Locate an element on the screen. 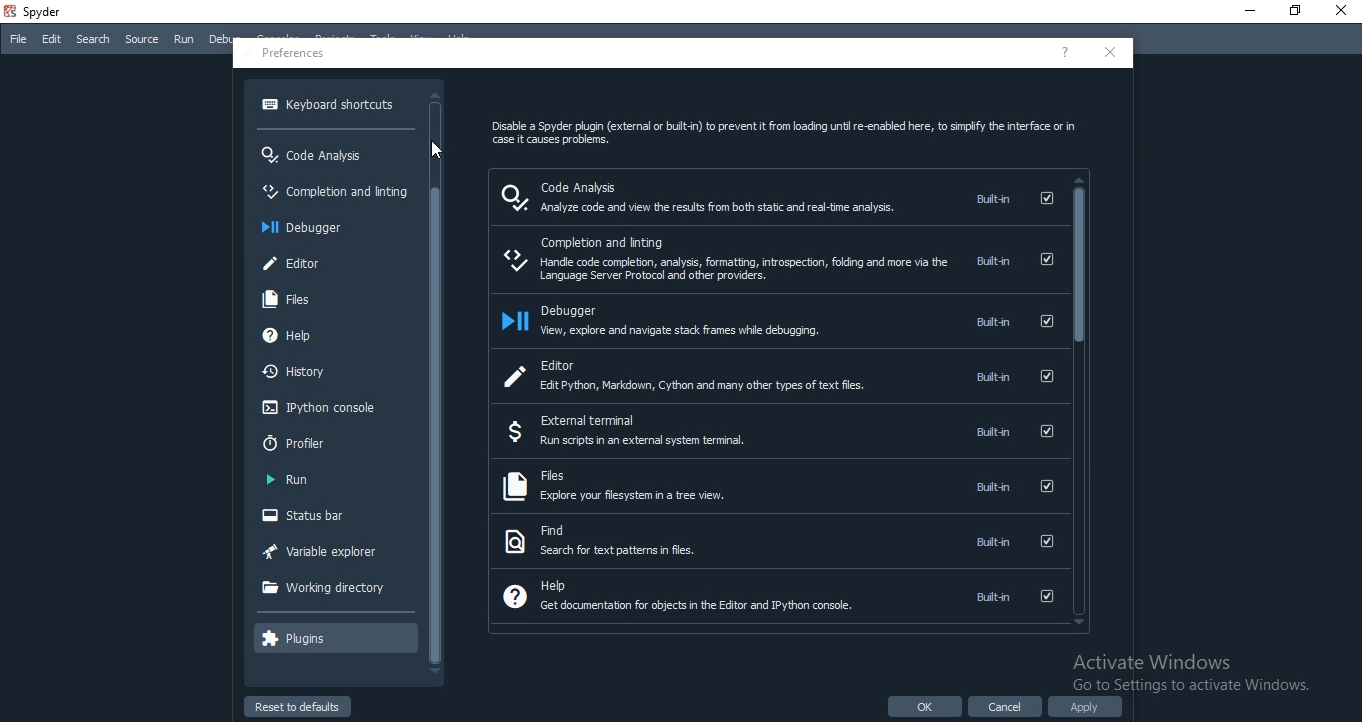  File  is located at coordinates (16, 39).